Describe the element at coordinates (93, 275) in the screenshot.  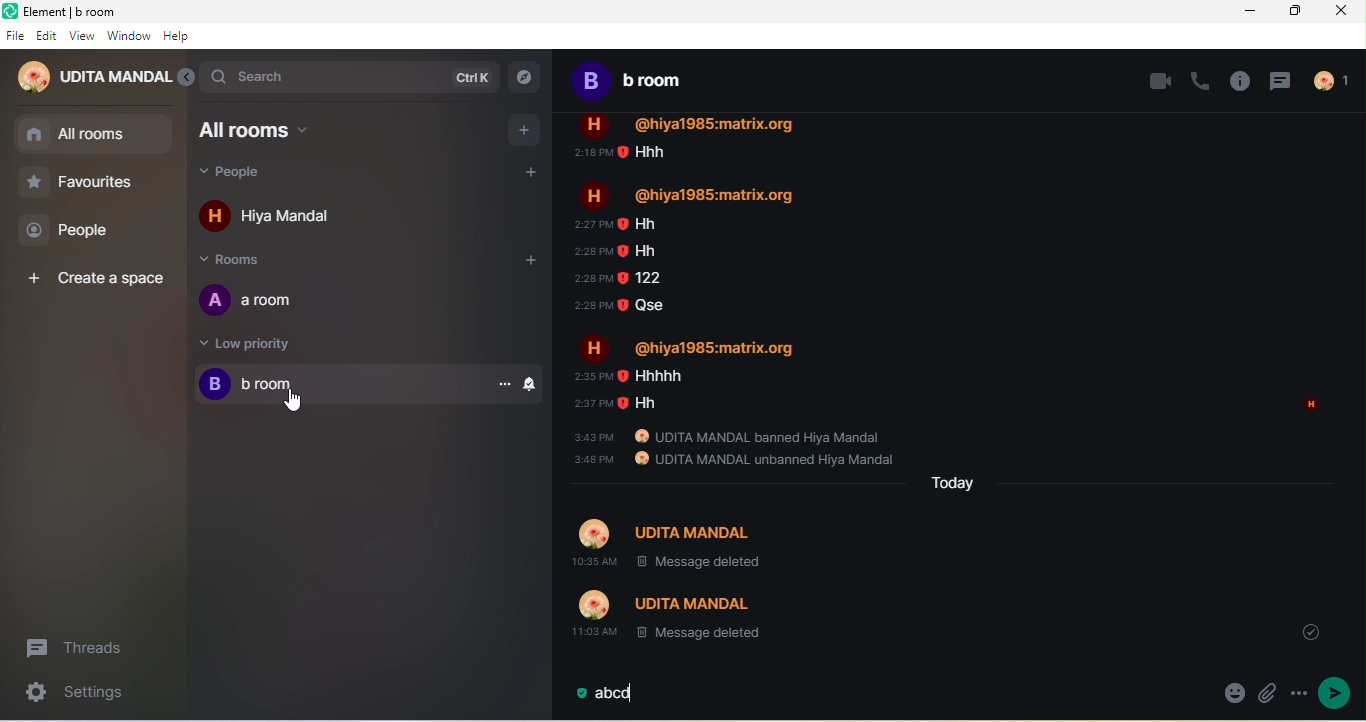
I see `create a space` at that location.